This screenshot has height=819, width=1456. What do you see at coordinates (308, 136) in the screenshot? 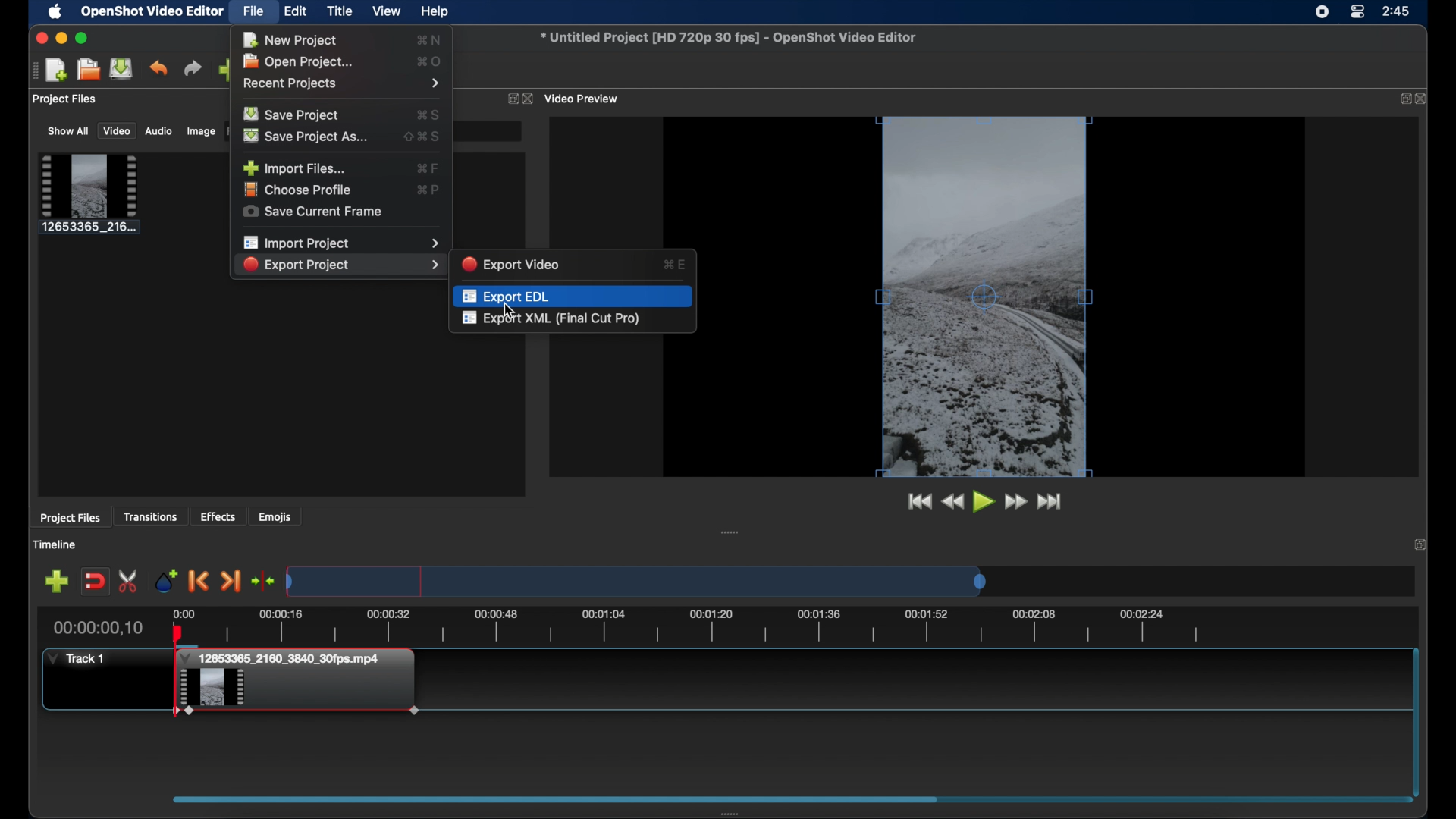
I see `save project as` at bounding box center [308, 136].